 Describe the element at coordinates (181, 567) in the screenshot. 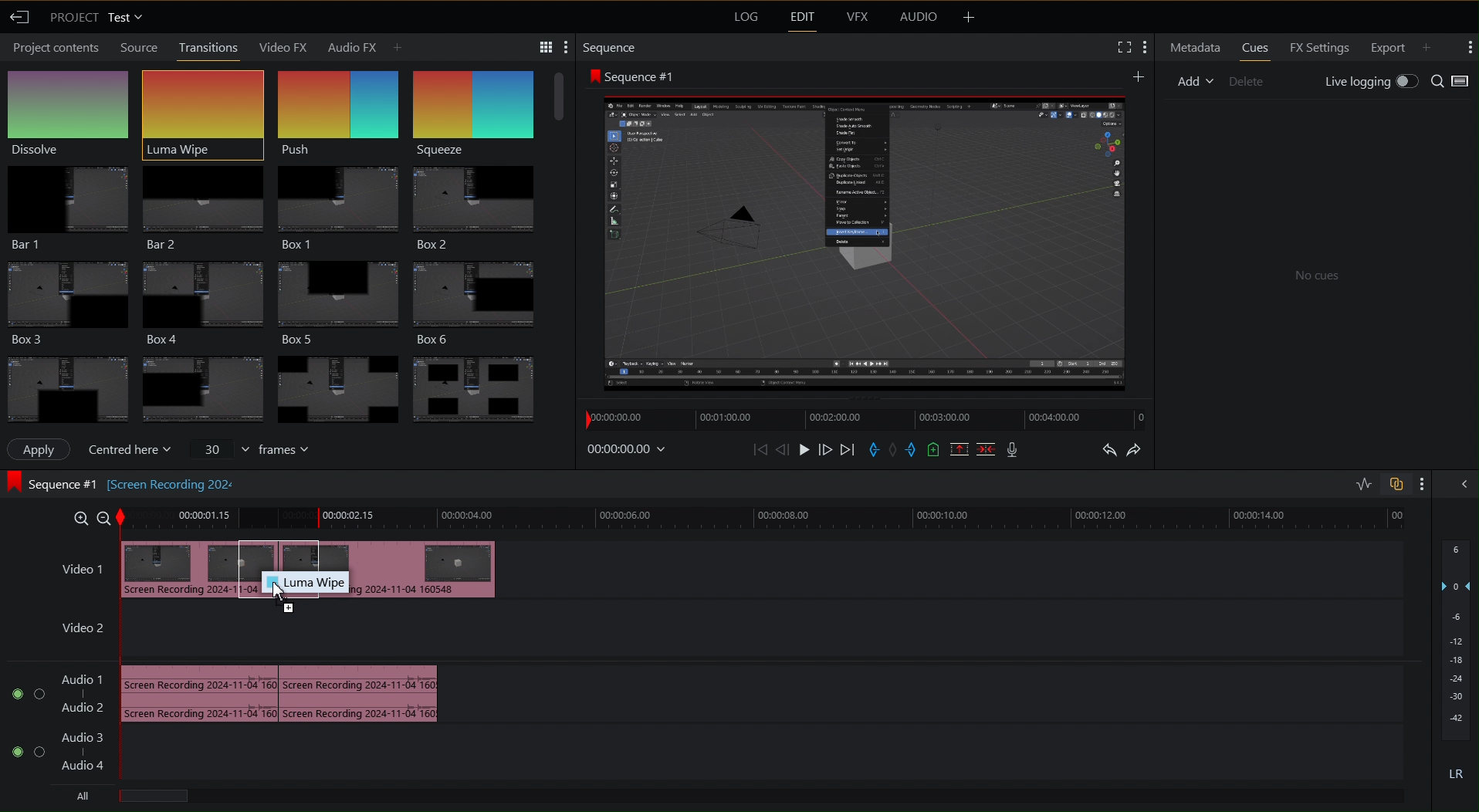

I see `Transition dragged` at that location.